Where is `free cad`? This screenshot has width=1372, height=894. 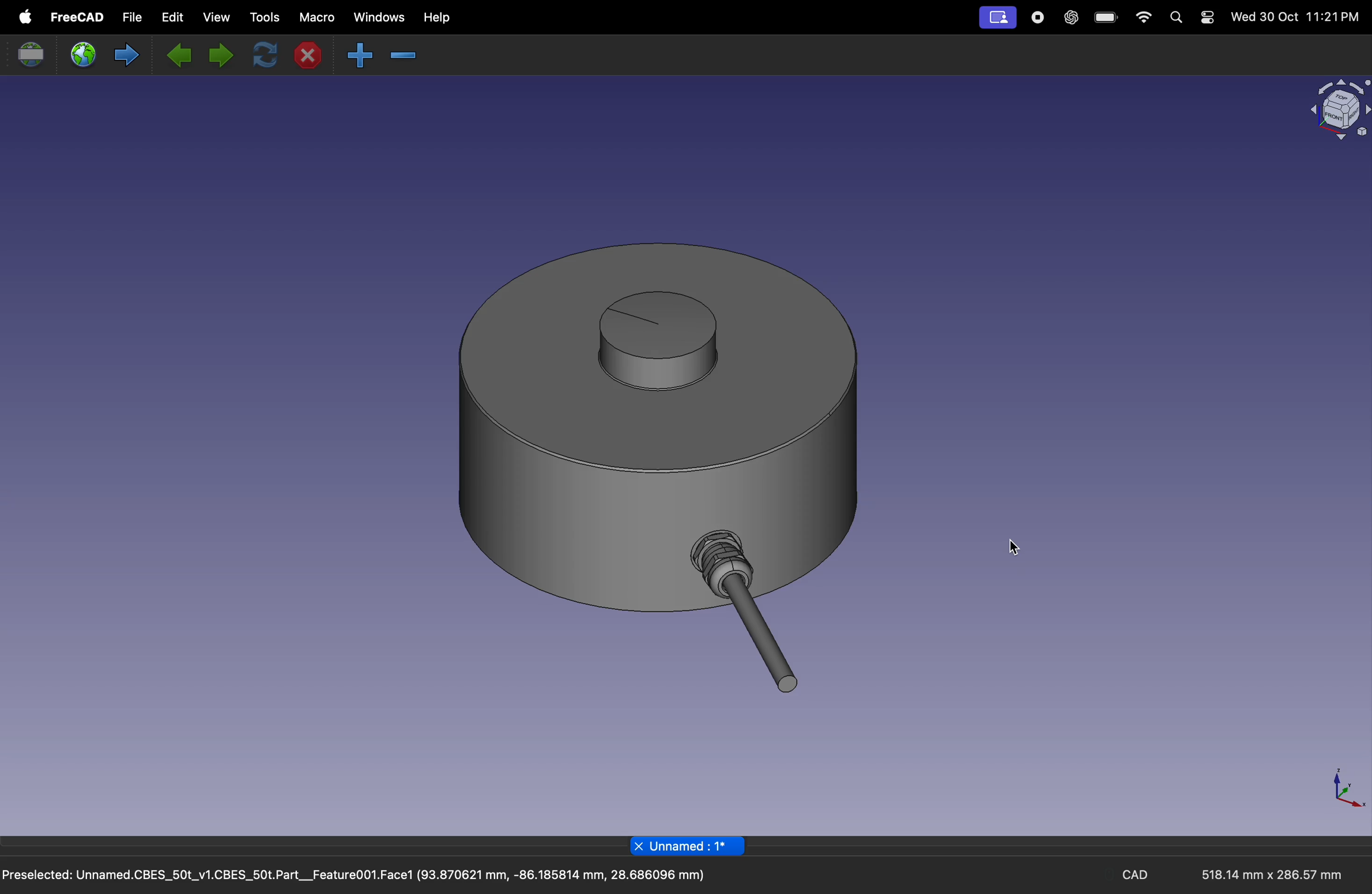 free cad is located at coordinates (76, 17).